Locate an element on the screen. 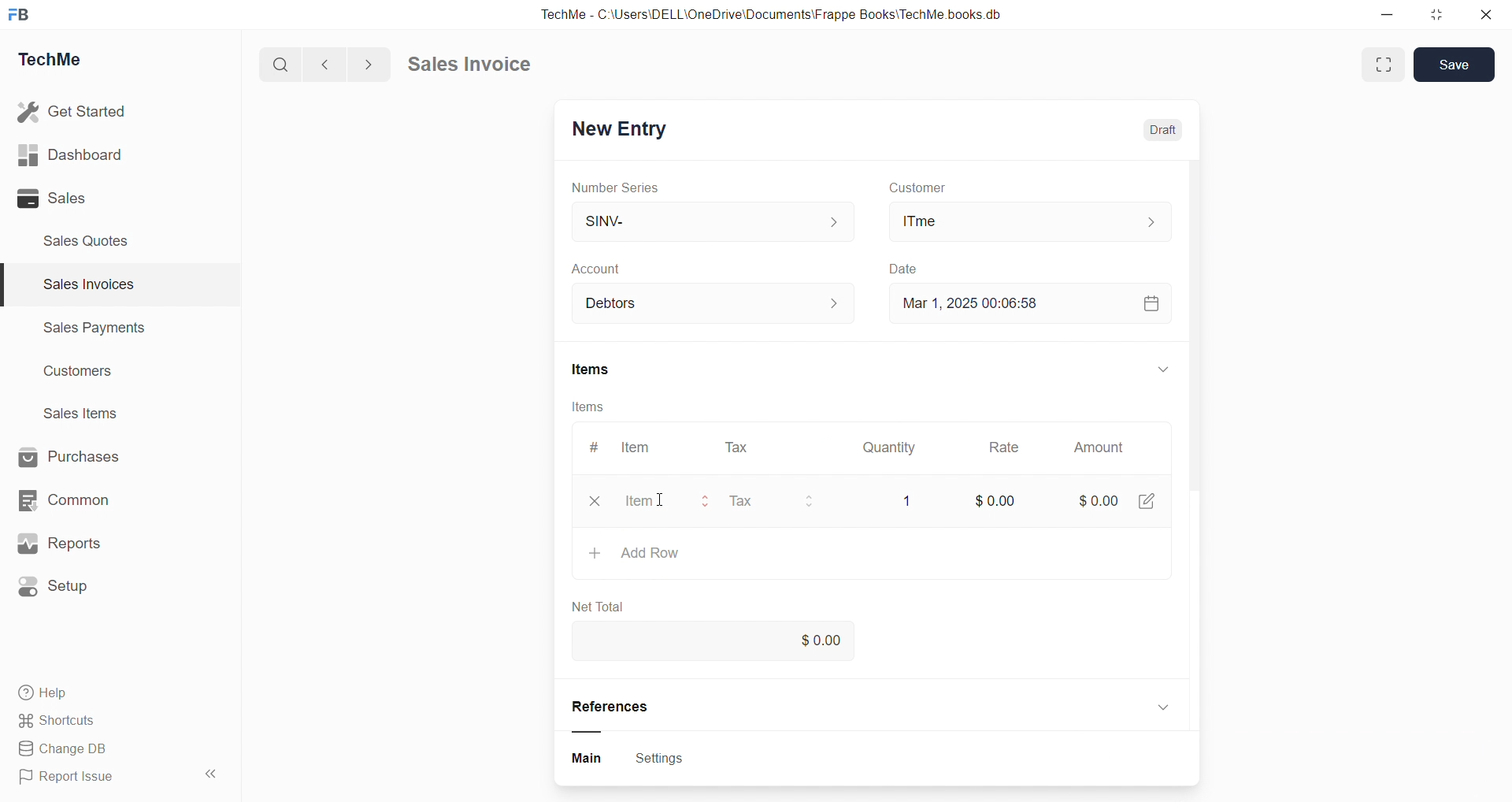 This screenshot has height=802, width=1512. References is located at coordinates (627, 707).